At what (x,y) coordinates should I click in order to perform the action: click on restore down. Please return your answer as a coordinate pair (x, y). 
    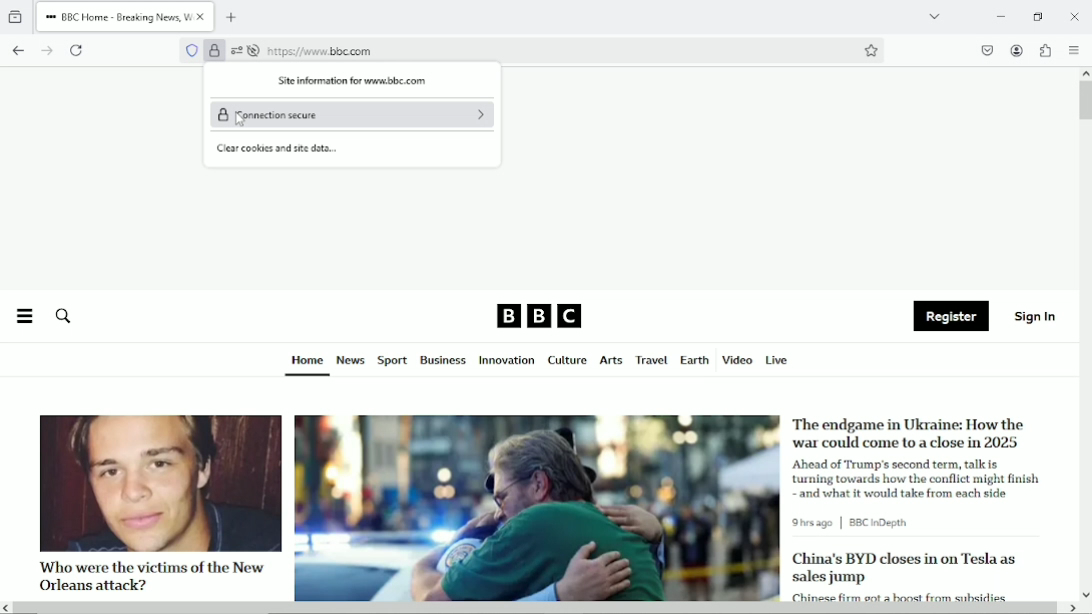
    Looking at the image, I should click on (1039, 16).